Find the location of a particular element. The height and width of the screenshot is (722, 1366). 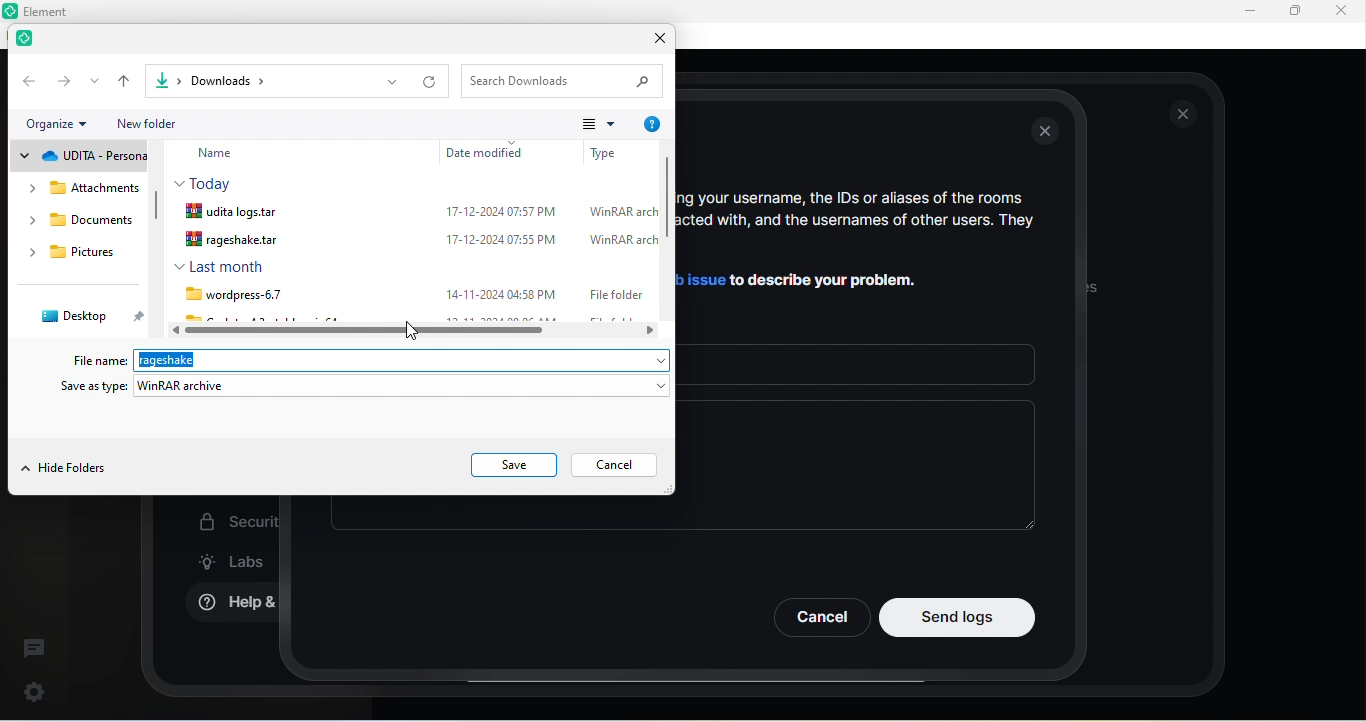

vertical scroll bar is located at coordinates (667, 236).